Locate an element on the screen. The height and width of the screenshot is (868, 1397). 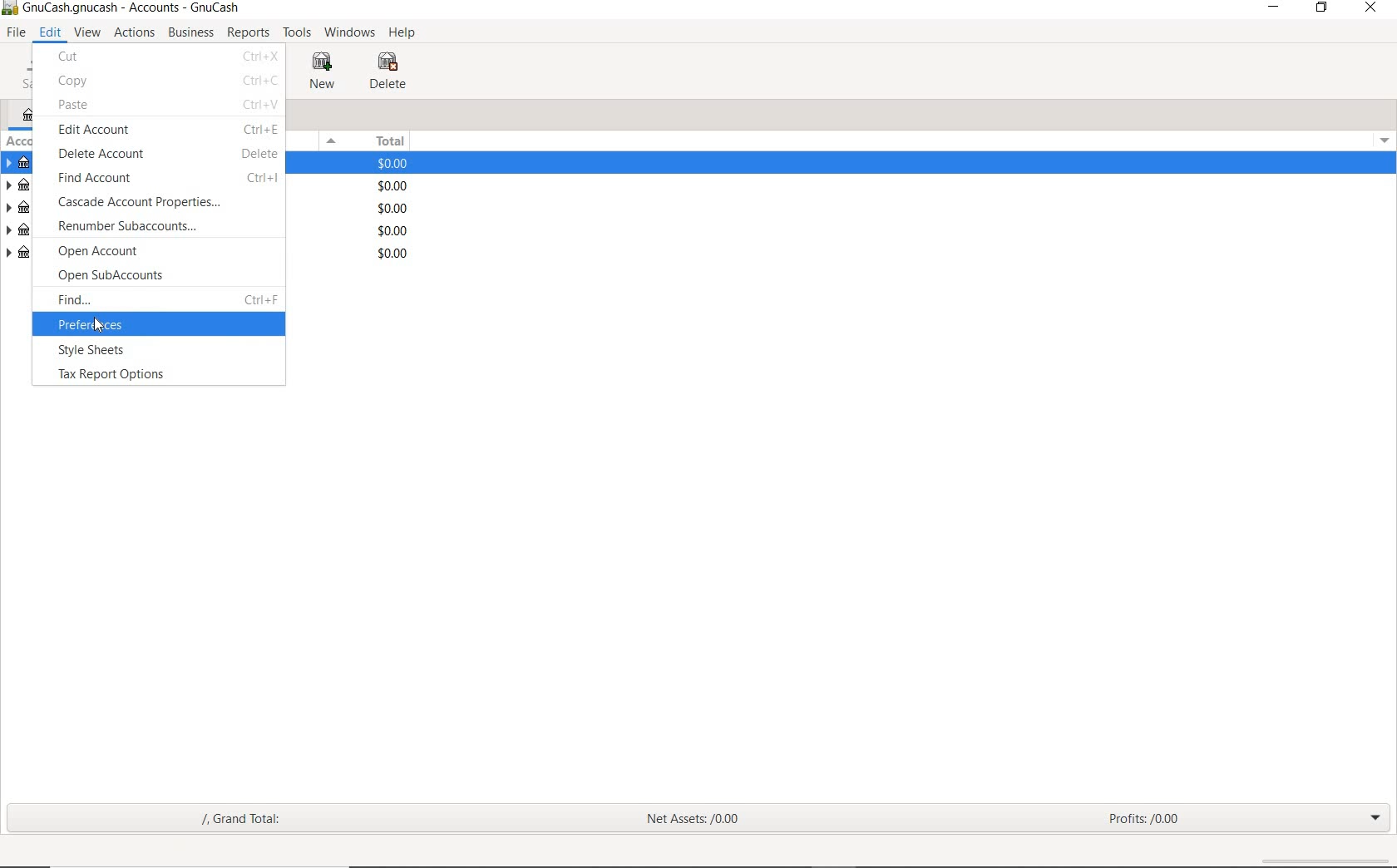
edit account is located at coordinates (91, 131).